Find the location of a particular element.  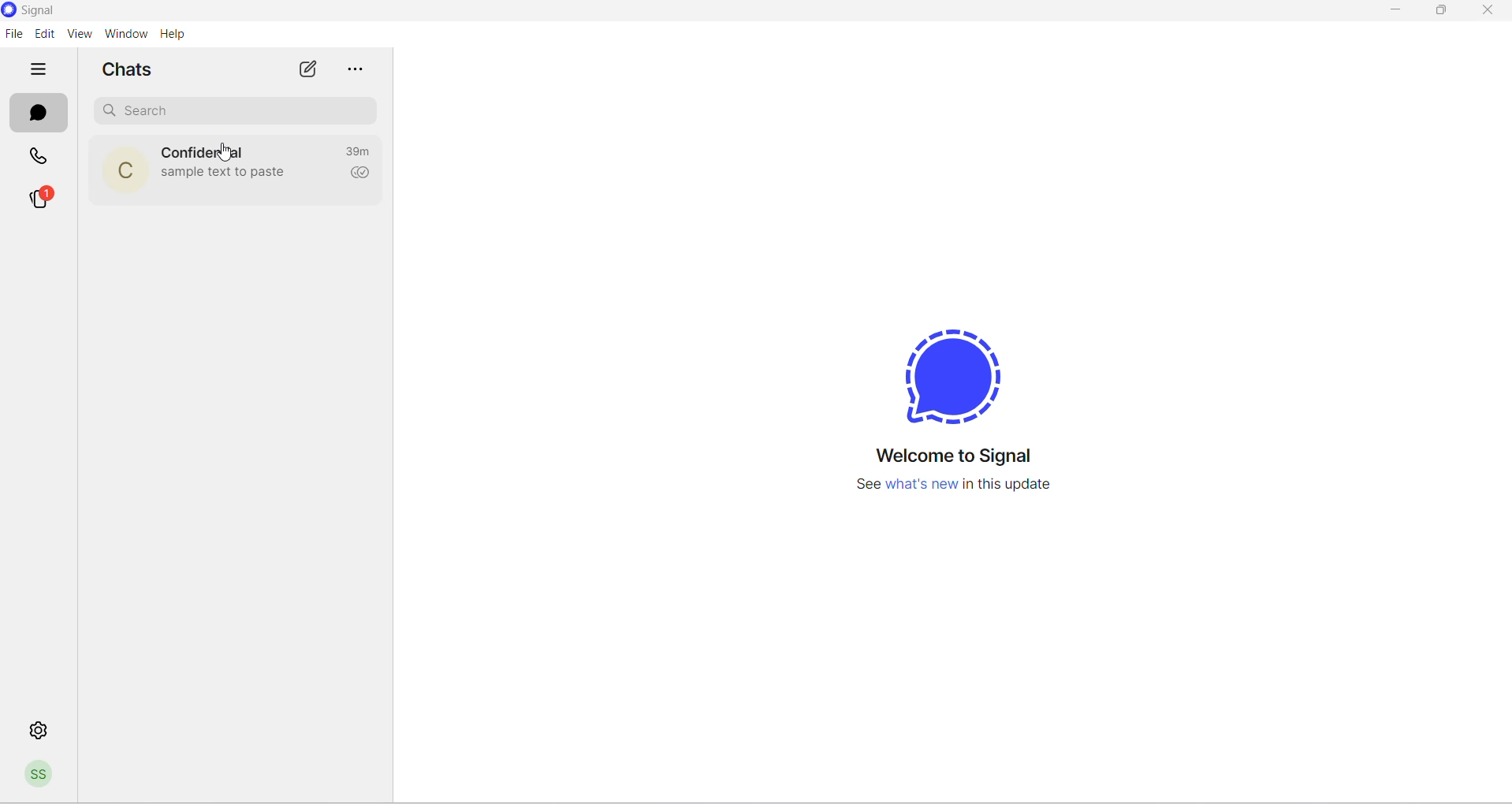

minimize is located at coordinates (1397, 12).